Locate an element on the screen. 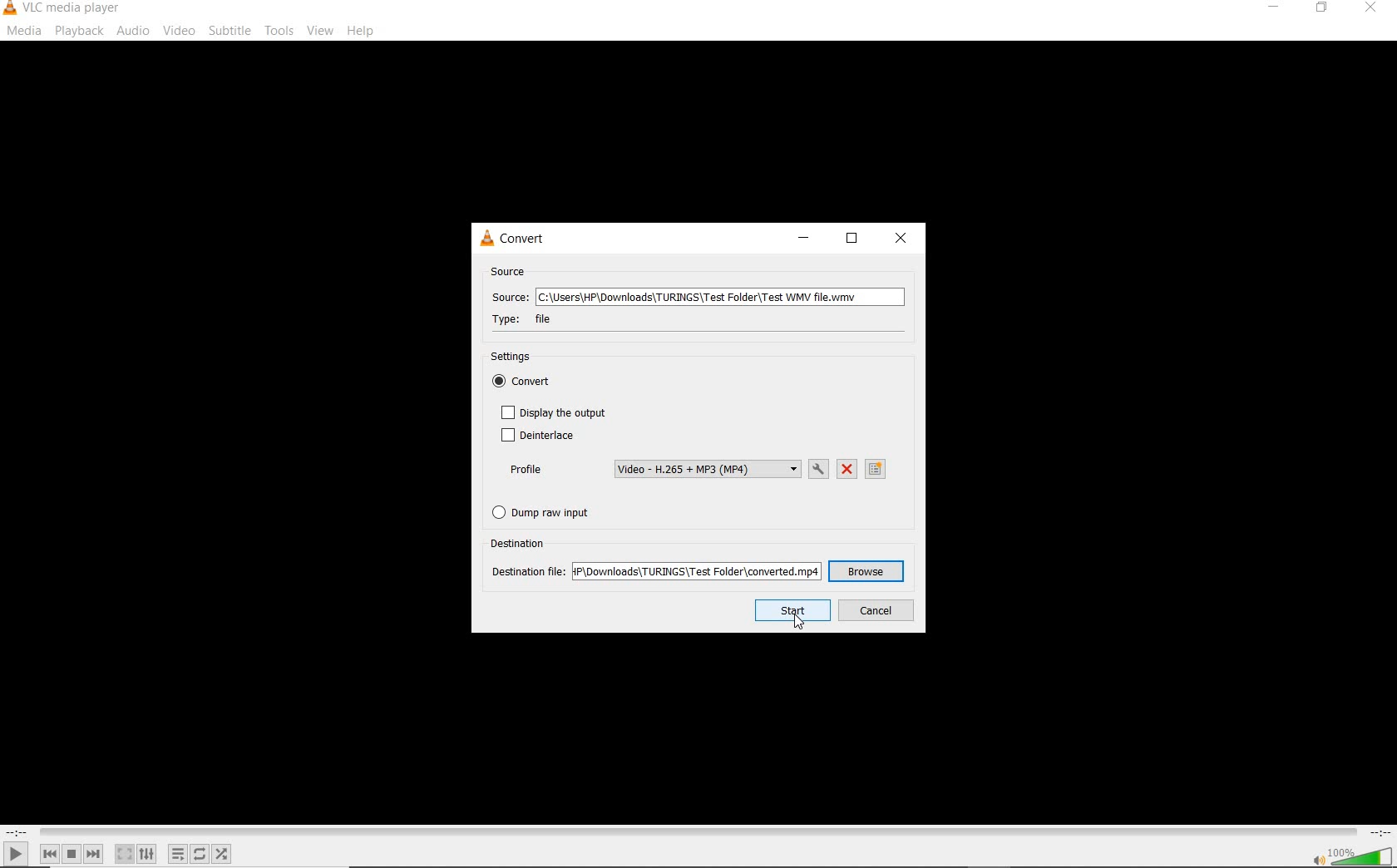  destination is located at coordinates (521, 542).